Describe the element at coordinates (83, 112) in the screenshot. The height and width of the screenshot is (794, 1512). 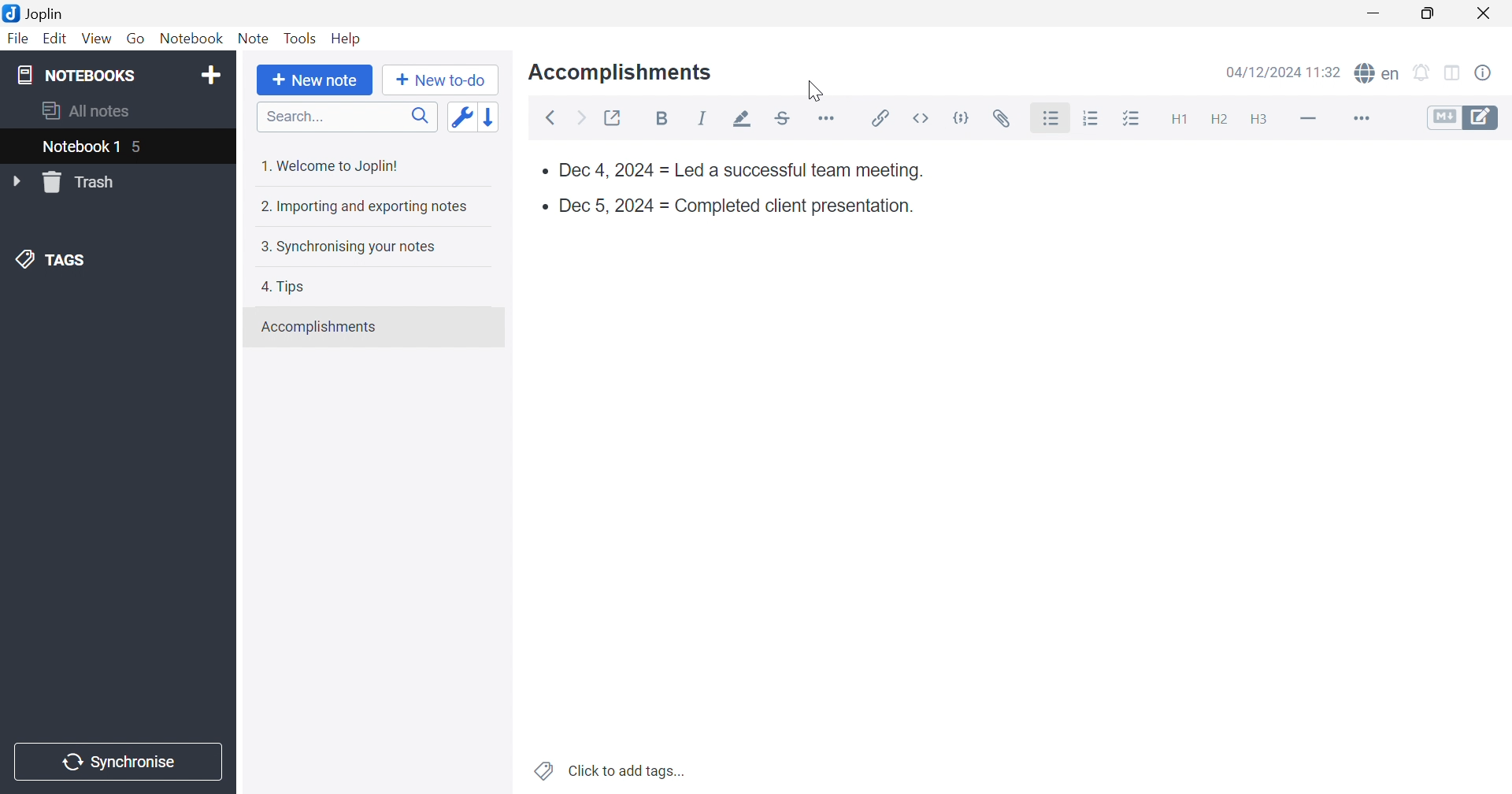
I see `All notes` at that location.